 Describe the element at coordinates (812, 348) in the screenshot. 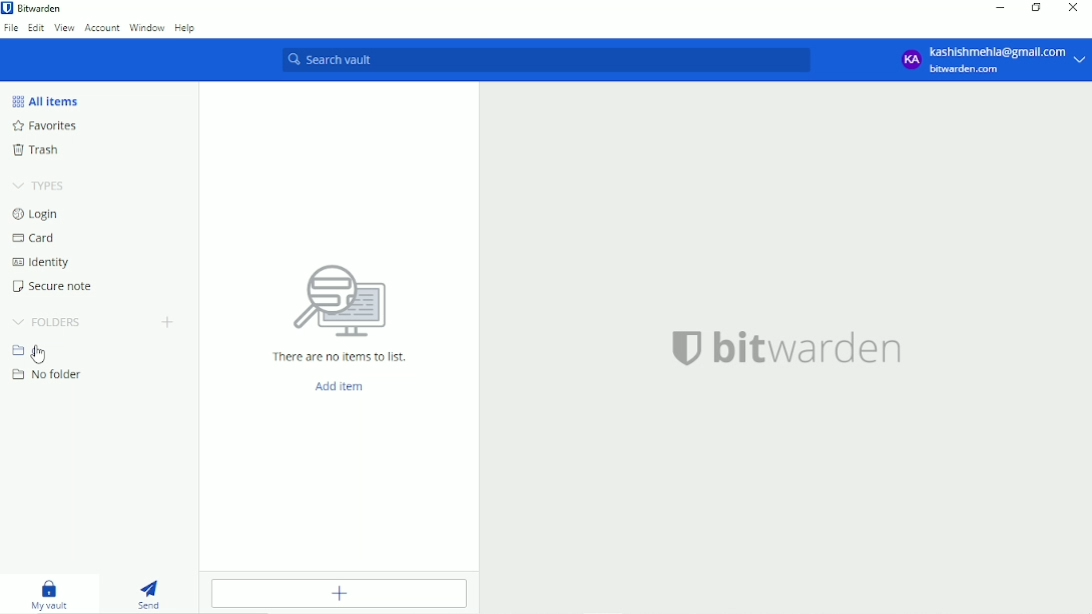

I see `bitwarden` at that location.